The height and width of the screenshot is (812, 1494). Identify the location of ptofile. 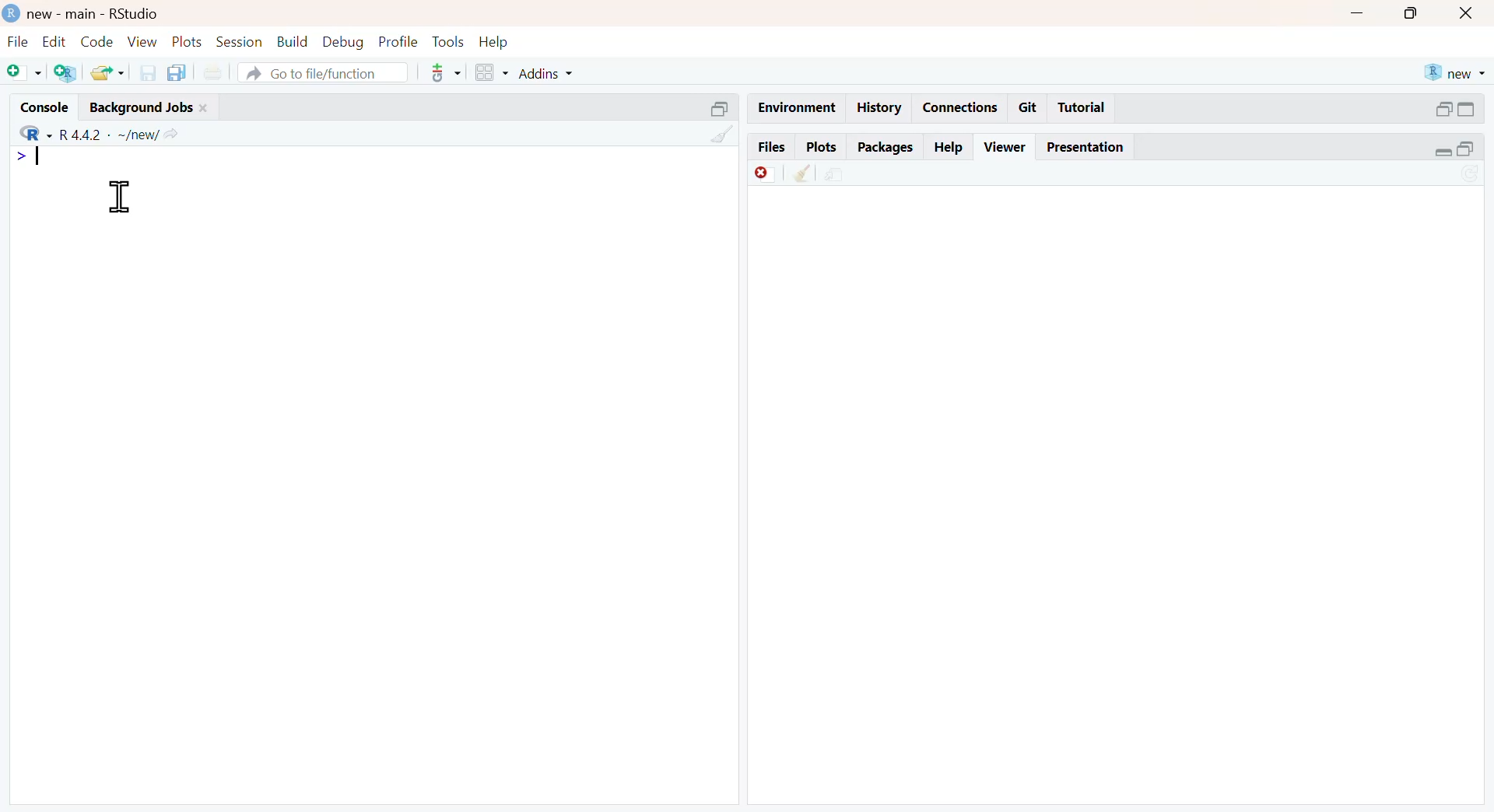
(400, 42).